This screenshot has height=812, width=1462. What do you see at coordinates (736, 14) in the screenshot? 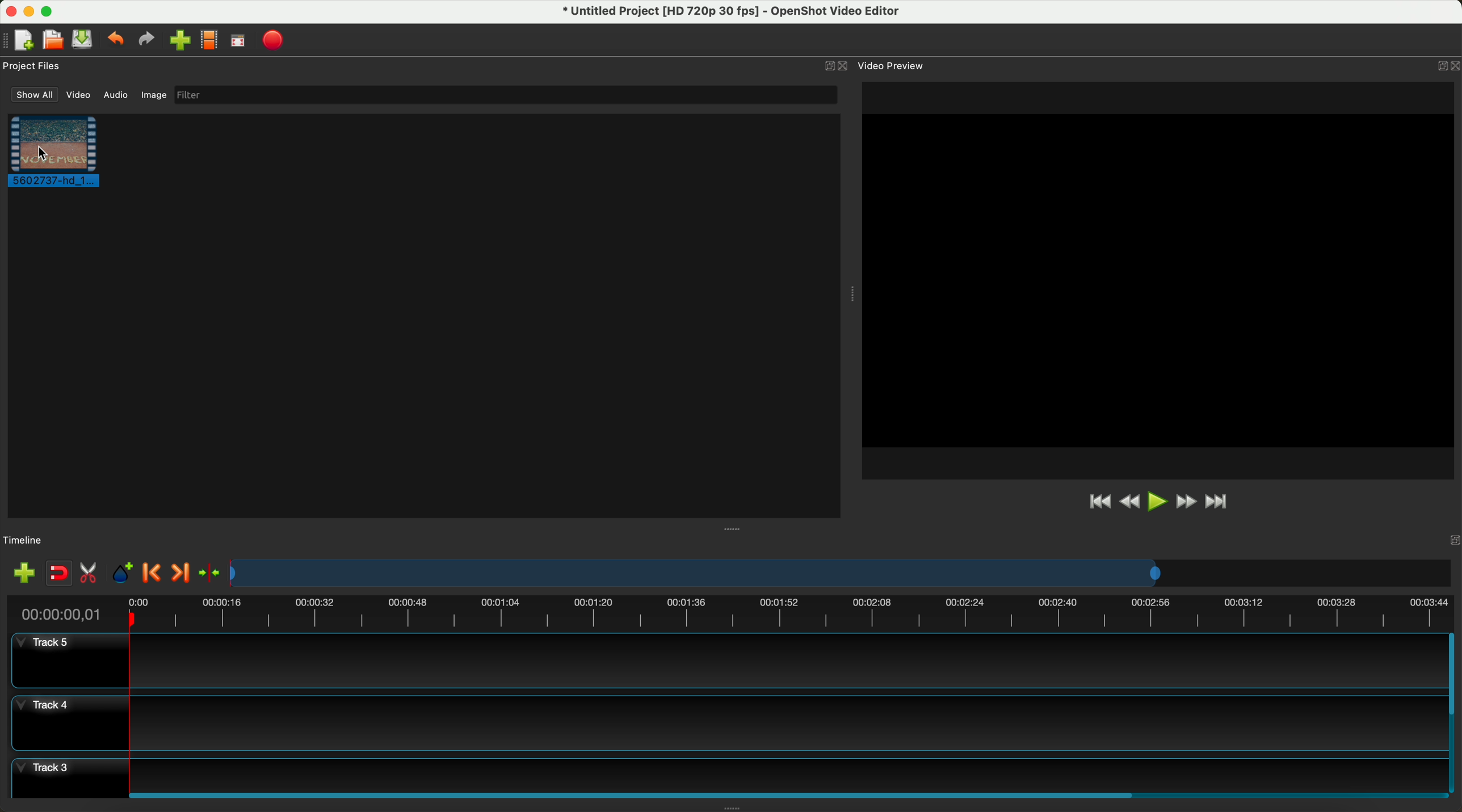
I see `file name` at bounding box center [736, 14].